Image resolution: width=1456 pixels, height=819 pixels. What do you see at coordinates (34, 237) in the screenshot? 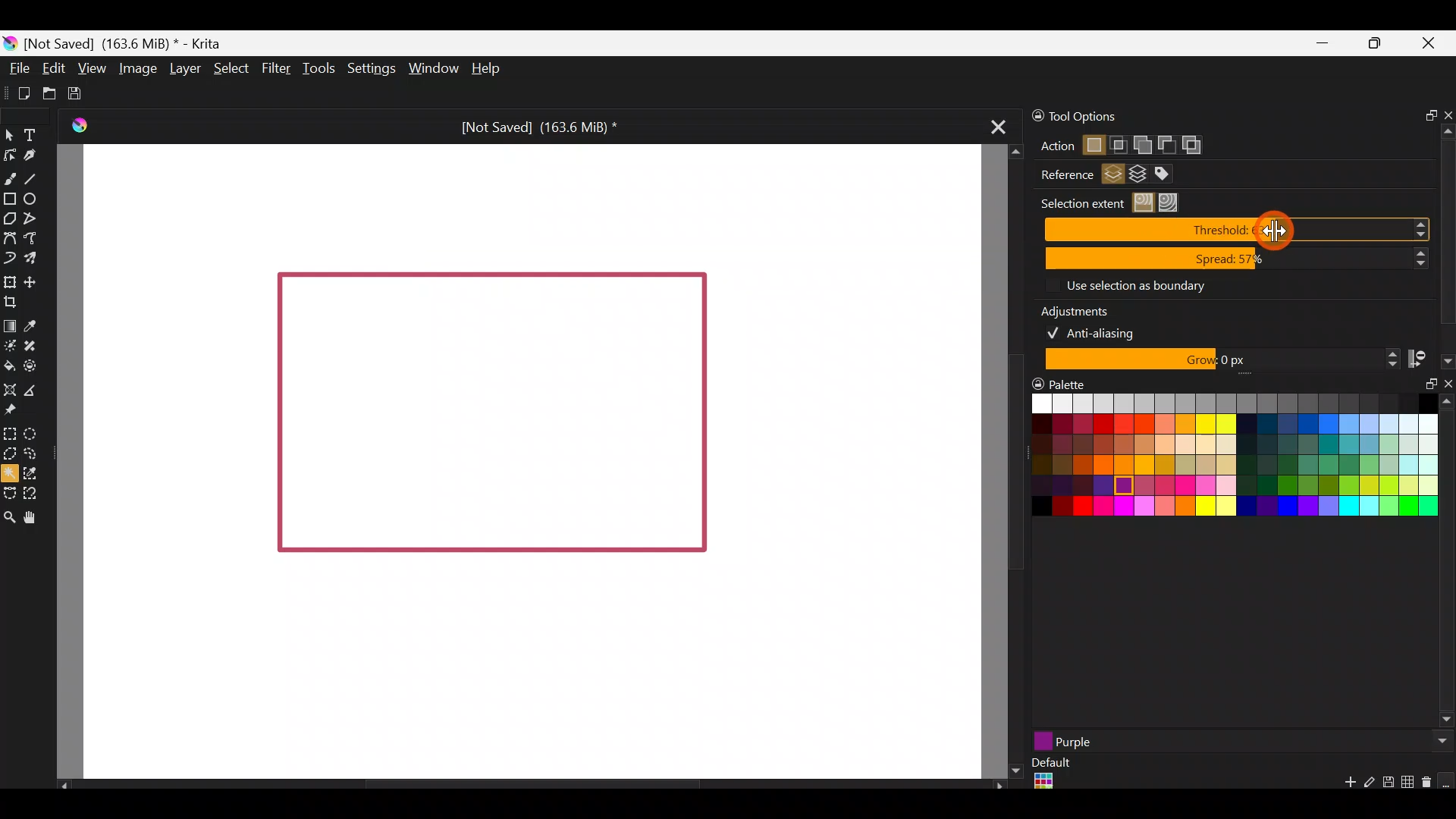
I see `Freehand path tool` at bounding box center [34, 237].